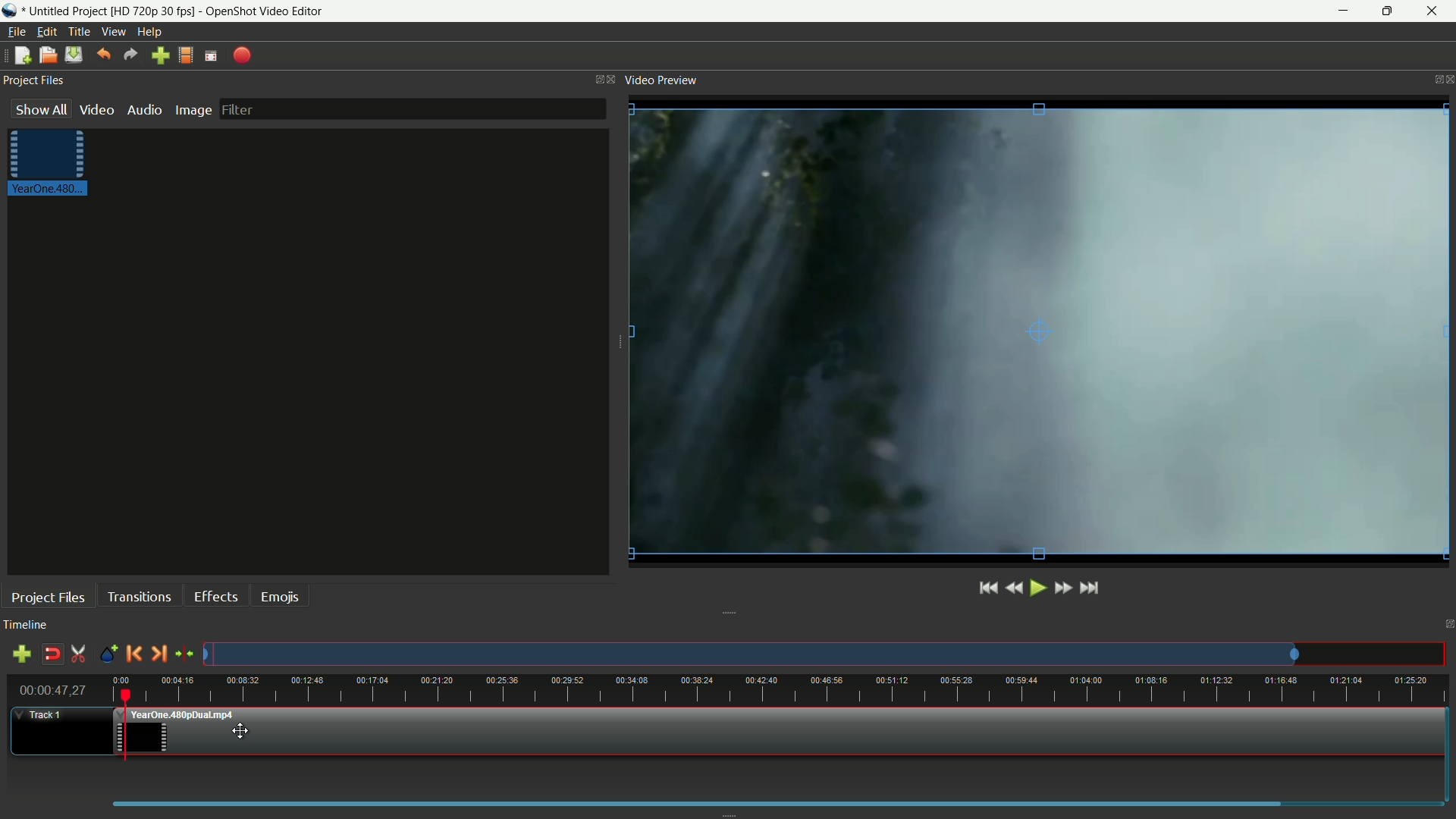  Describe the element at coordinates (23, 55) in the screenshot. I see `new file` at that location.